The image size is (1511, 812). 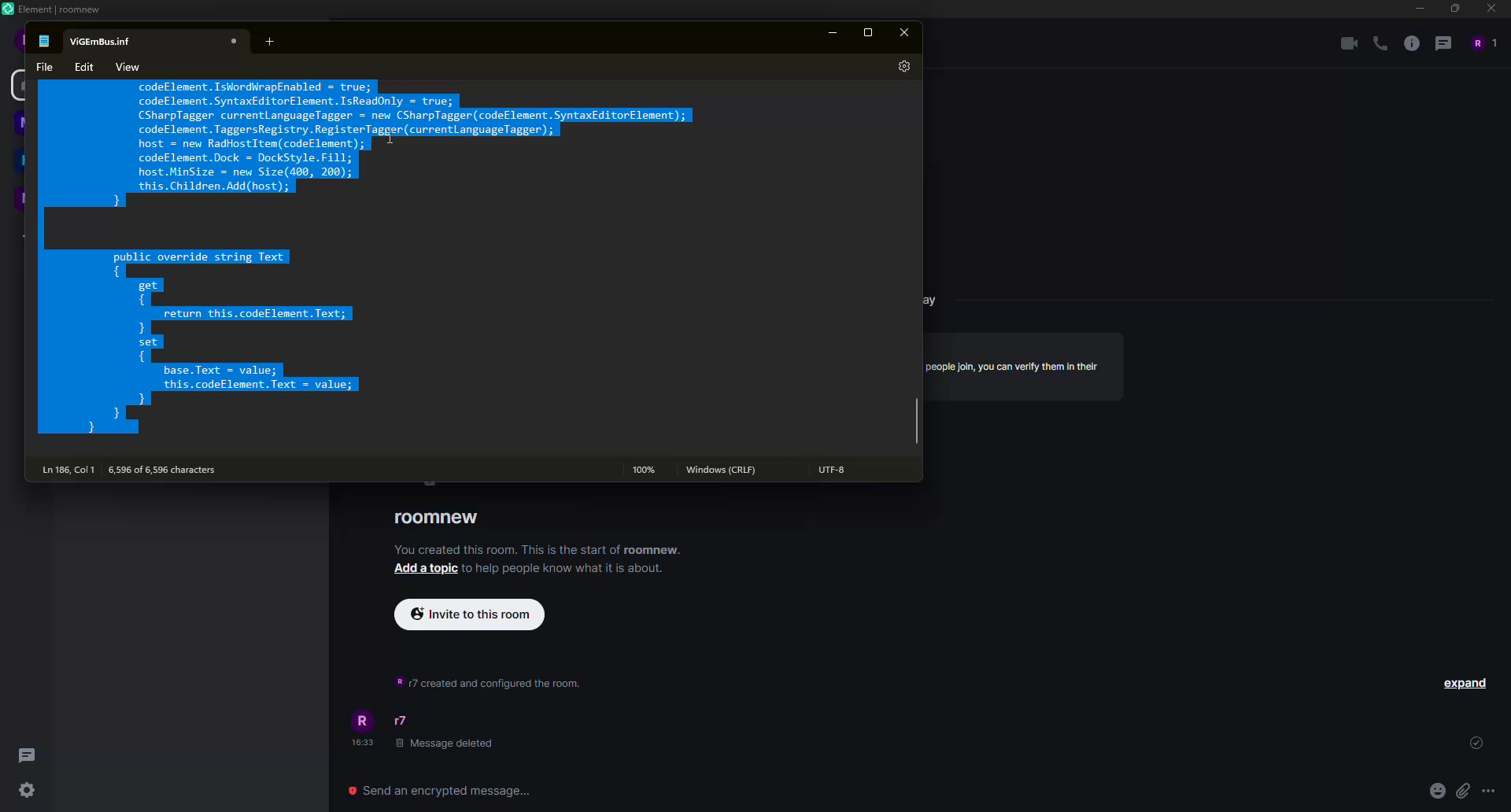 I want to click on maximize, so click(x=870, y=31).